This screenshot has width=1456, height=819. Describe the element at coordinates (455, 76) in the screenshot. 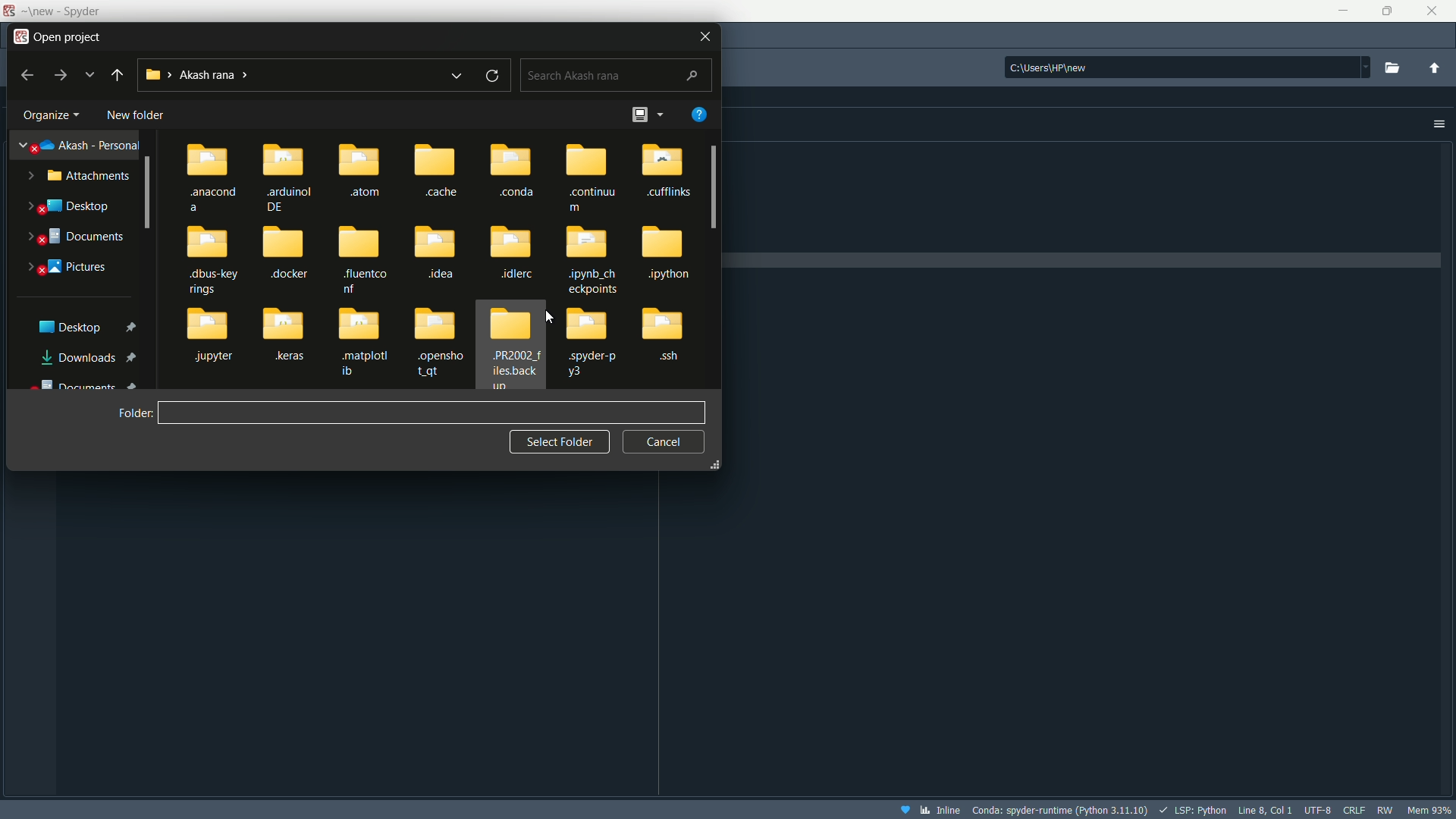

I see `recent locations` at that location.